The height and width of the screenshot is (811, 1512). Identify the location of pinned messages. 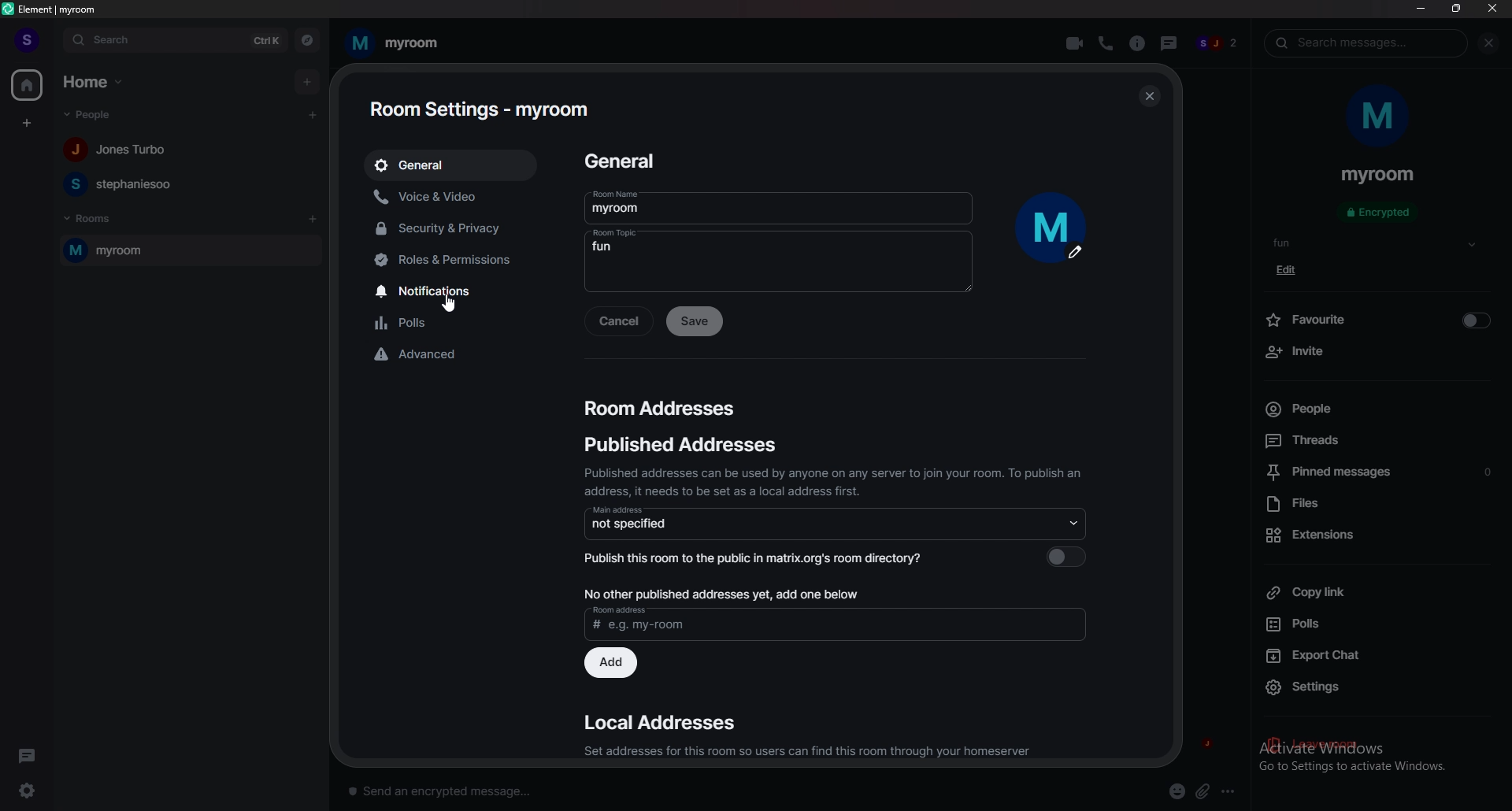
(1380, 474).